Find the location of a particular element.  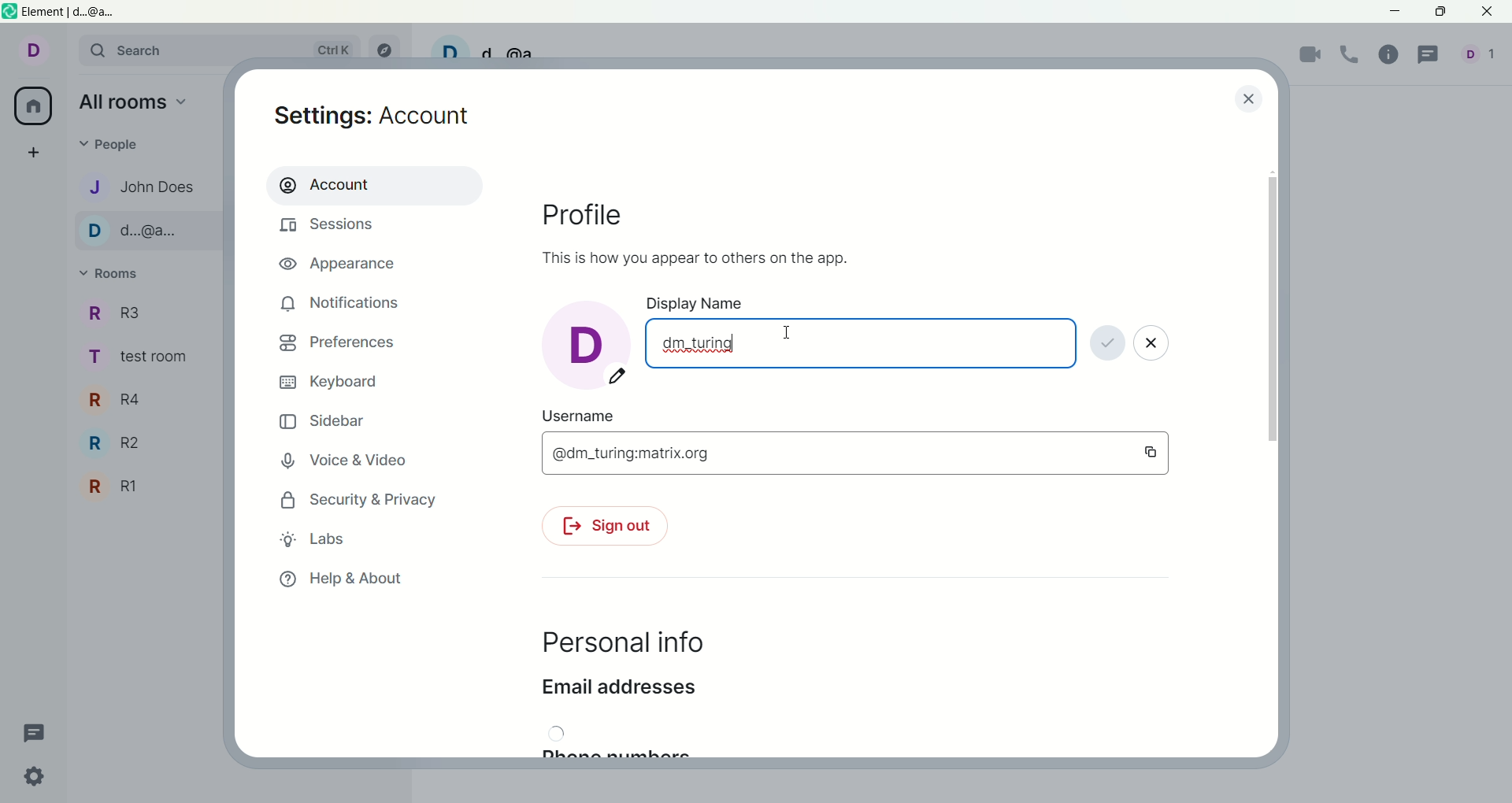

profile is located at coordinates (596, 215).